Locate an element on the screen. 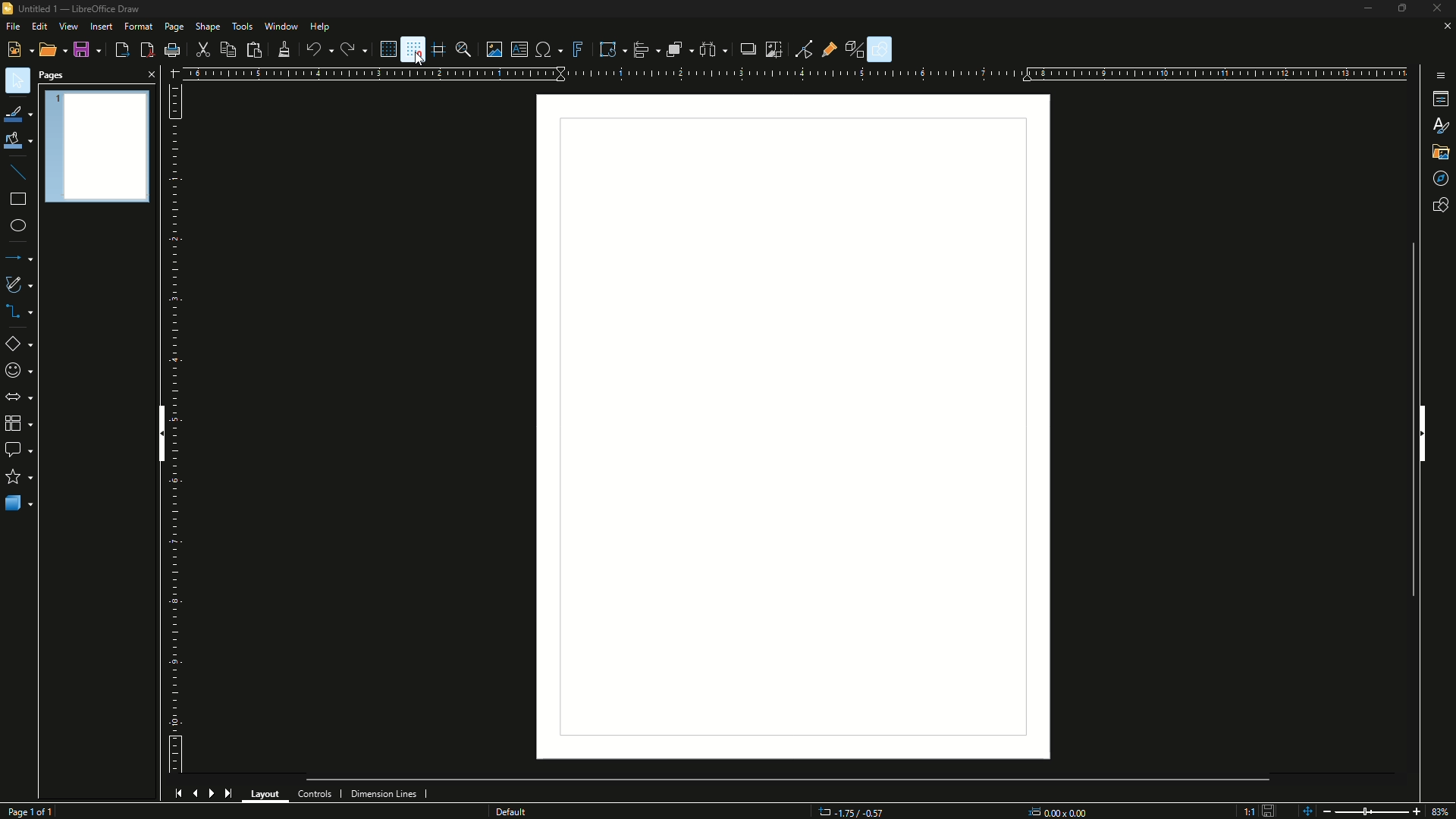 This screenshot has height=819, width=1456. Export is located at coordinates (118, 50).